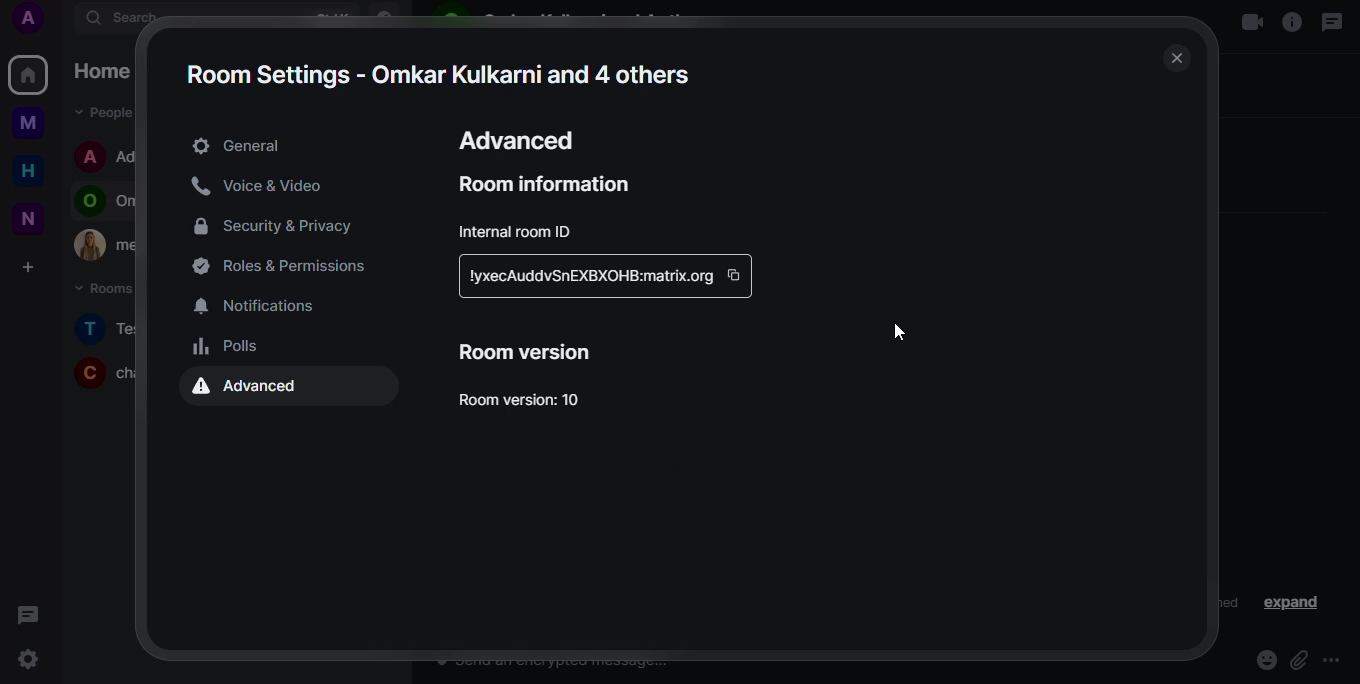  Describe the element at coordinates (521, 136) in the screenshot. I see `advanced` at that location.